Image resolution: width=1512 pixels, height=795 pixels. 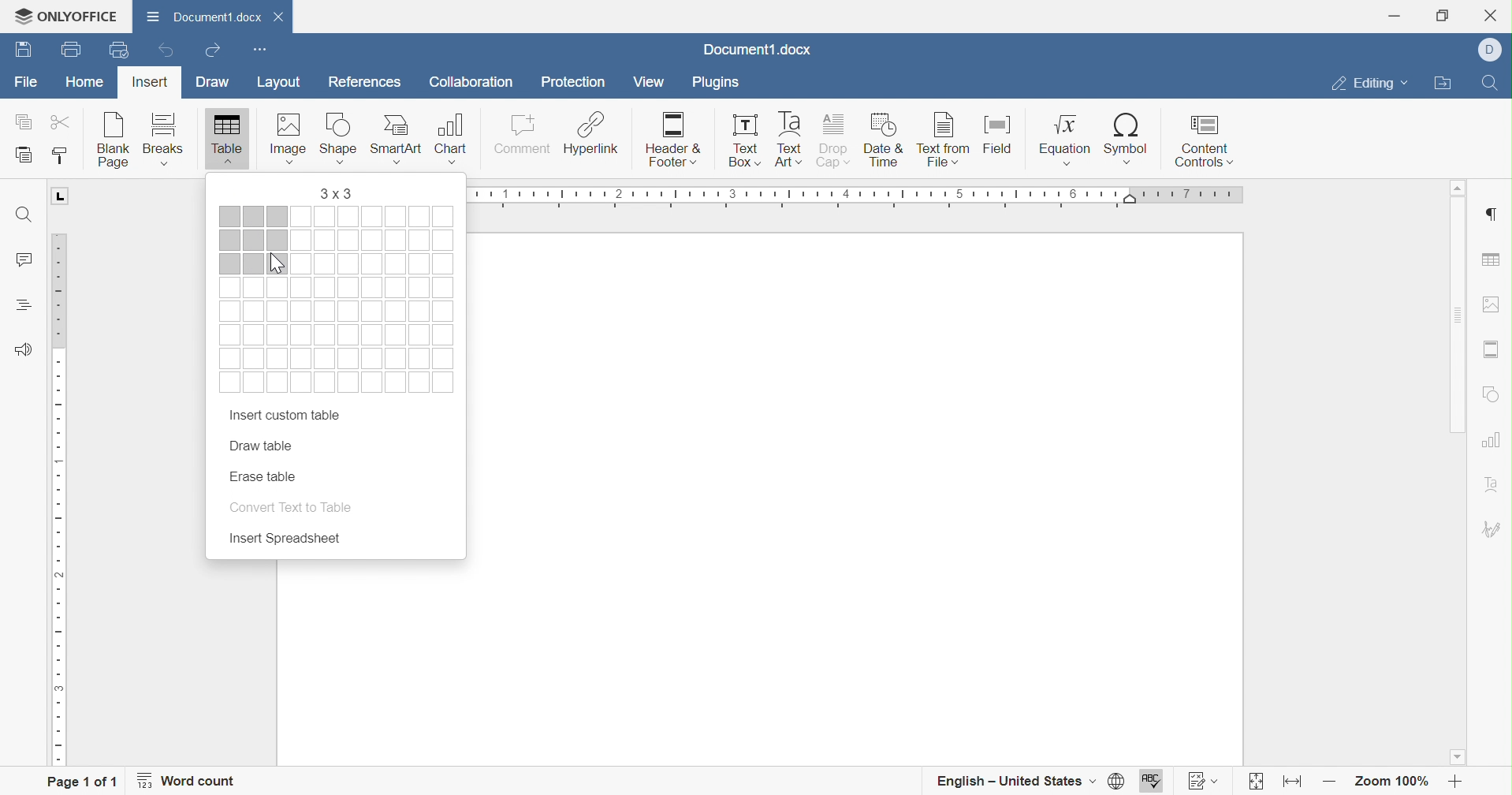 I want to click on Find, so click(x=1490, y=84).